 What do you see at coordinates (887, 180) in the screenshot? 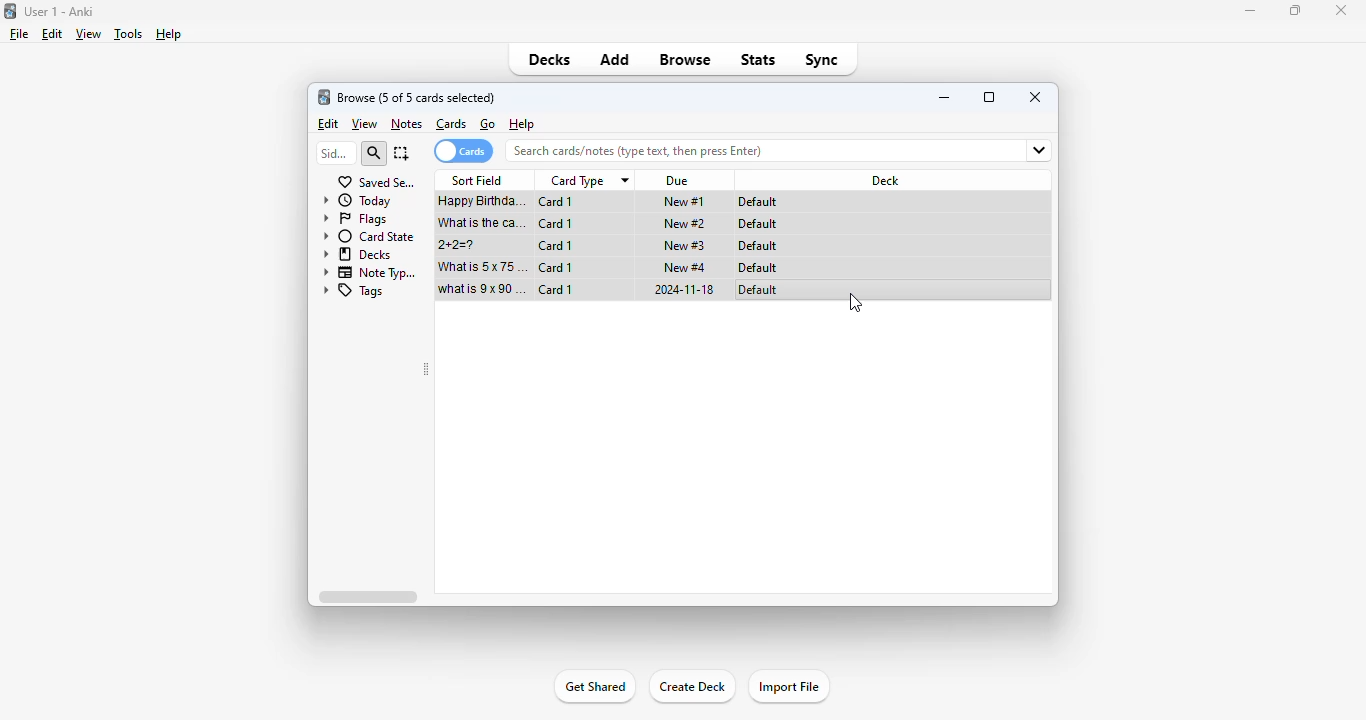
I see `deck` at bounding box center [887, 180].